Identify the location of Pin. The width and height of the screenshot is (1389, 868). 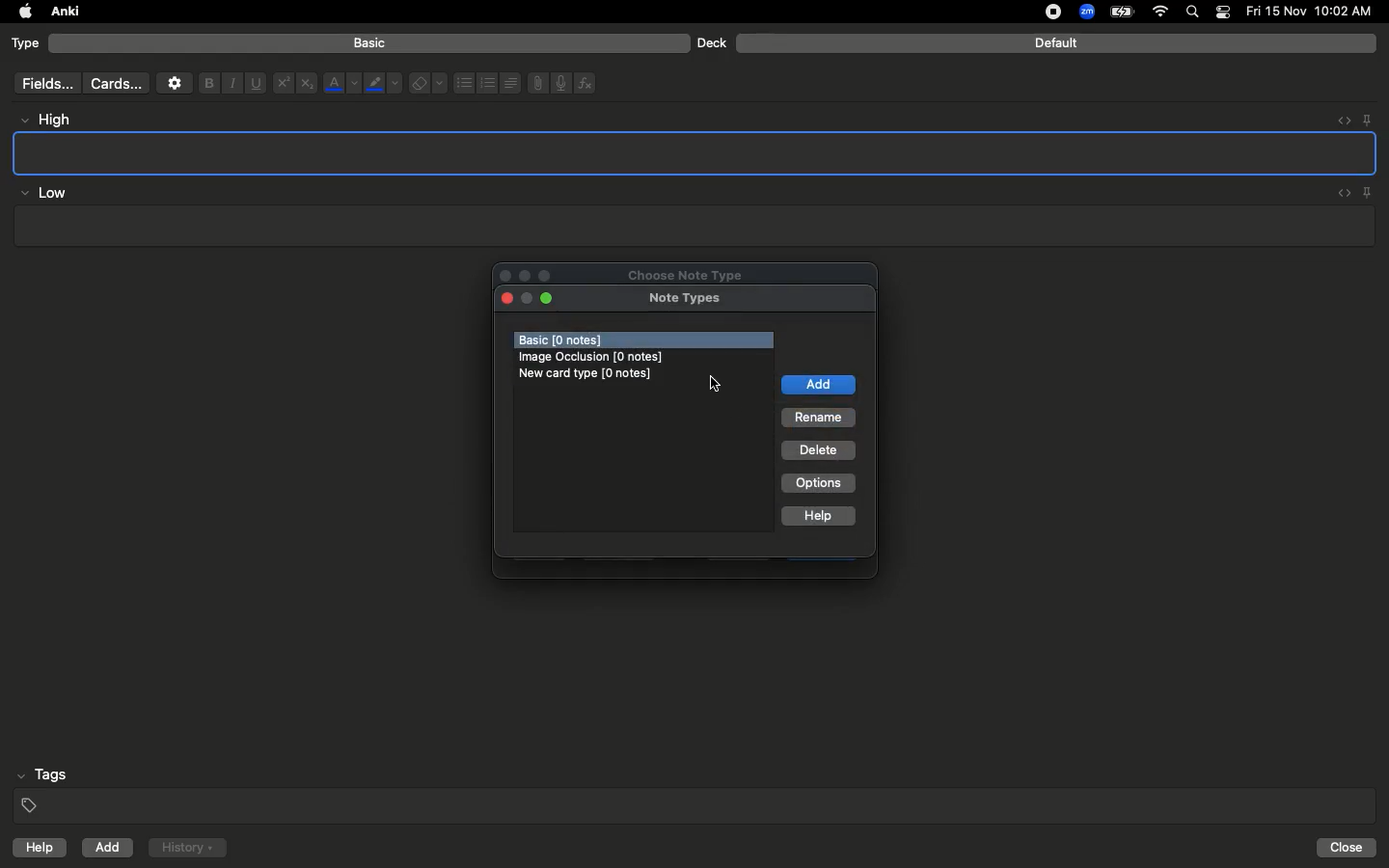
(1369, 192).